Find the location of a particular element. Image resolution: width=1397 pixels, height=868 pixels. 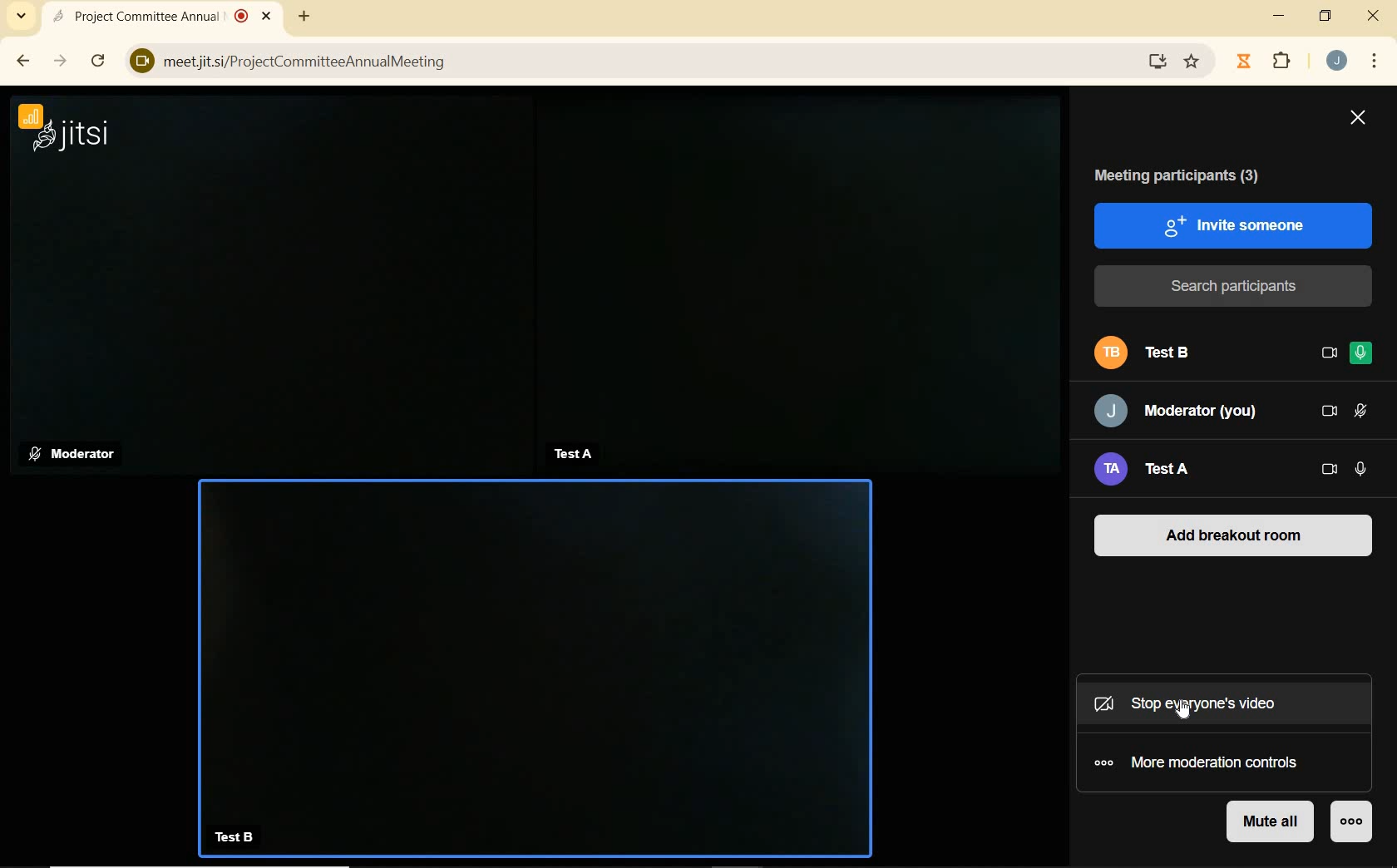

RESTORE DOWN is located at coordinates (1326, 17).